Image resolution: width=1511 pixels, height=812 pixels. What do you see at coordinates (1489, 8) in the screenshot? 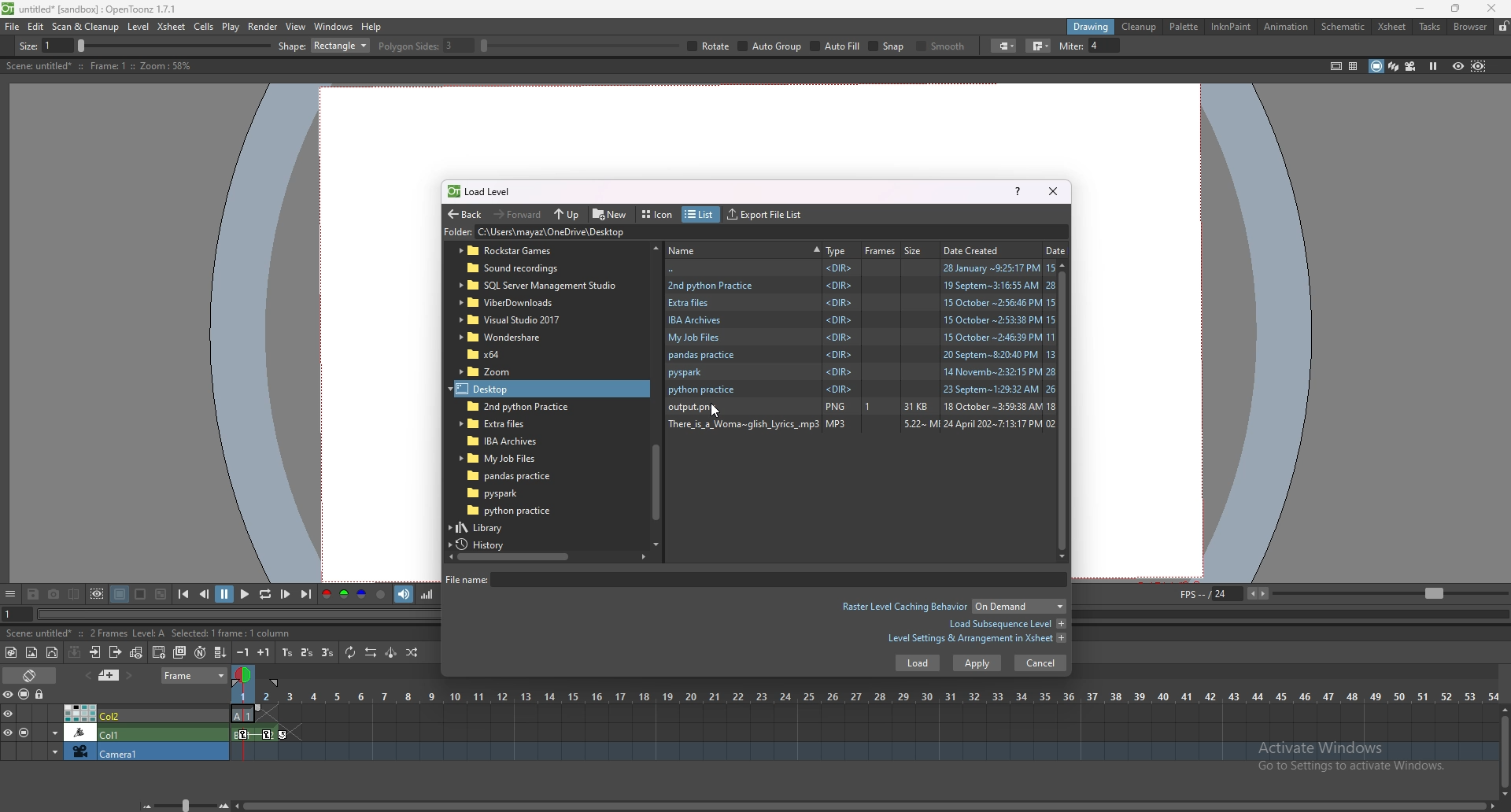
I see `close` at bounding box center [1489, 8].